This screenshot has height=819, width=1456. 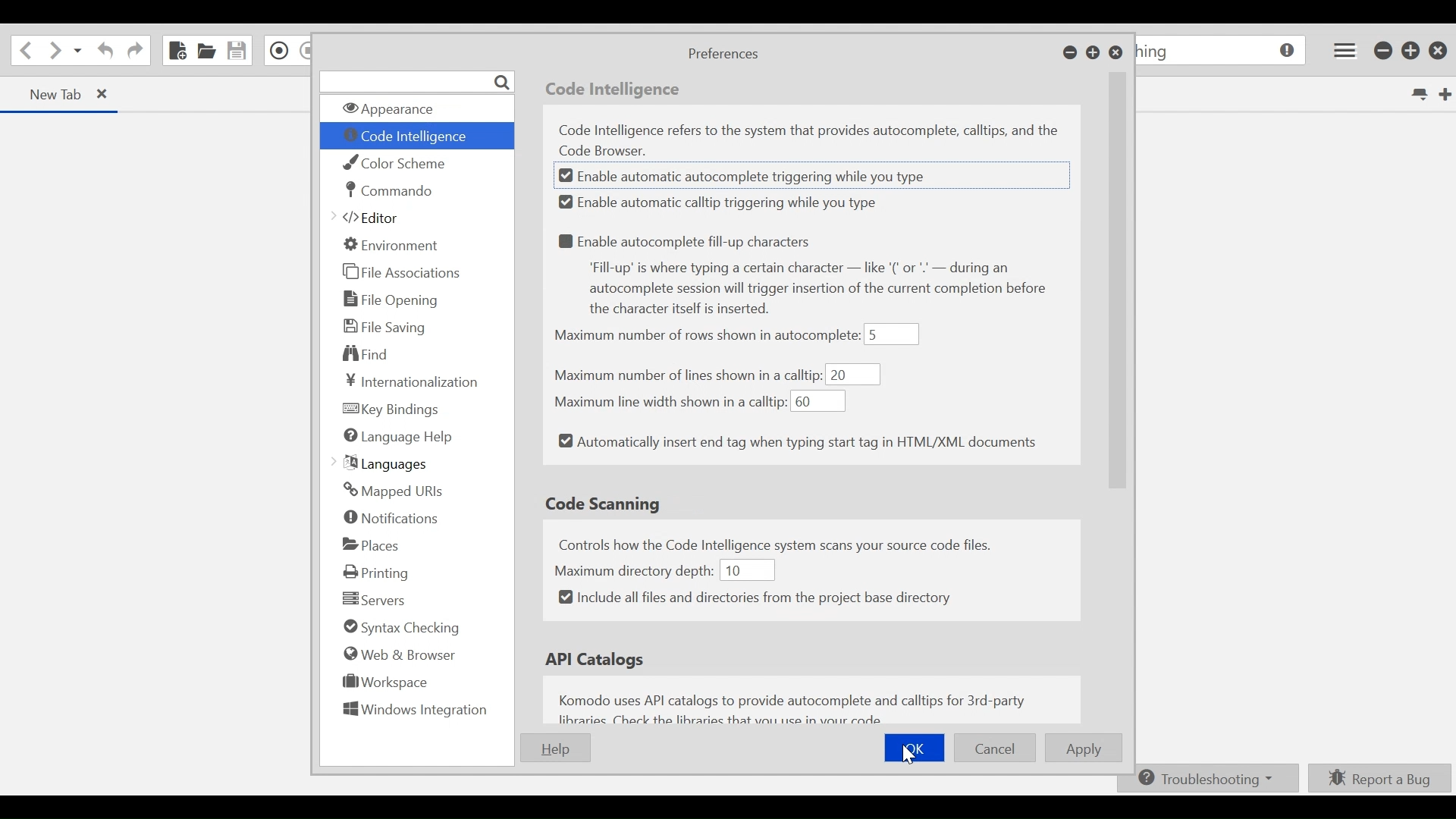 I want to click on Key Bindings, so click(x=392, y=409).